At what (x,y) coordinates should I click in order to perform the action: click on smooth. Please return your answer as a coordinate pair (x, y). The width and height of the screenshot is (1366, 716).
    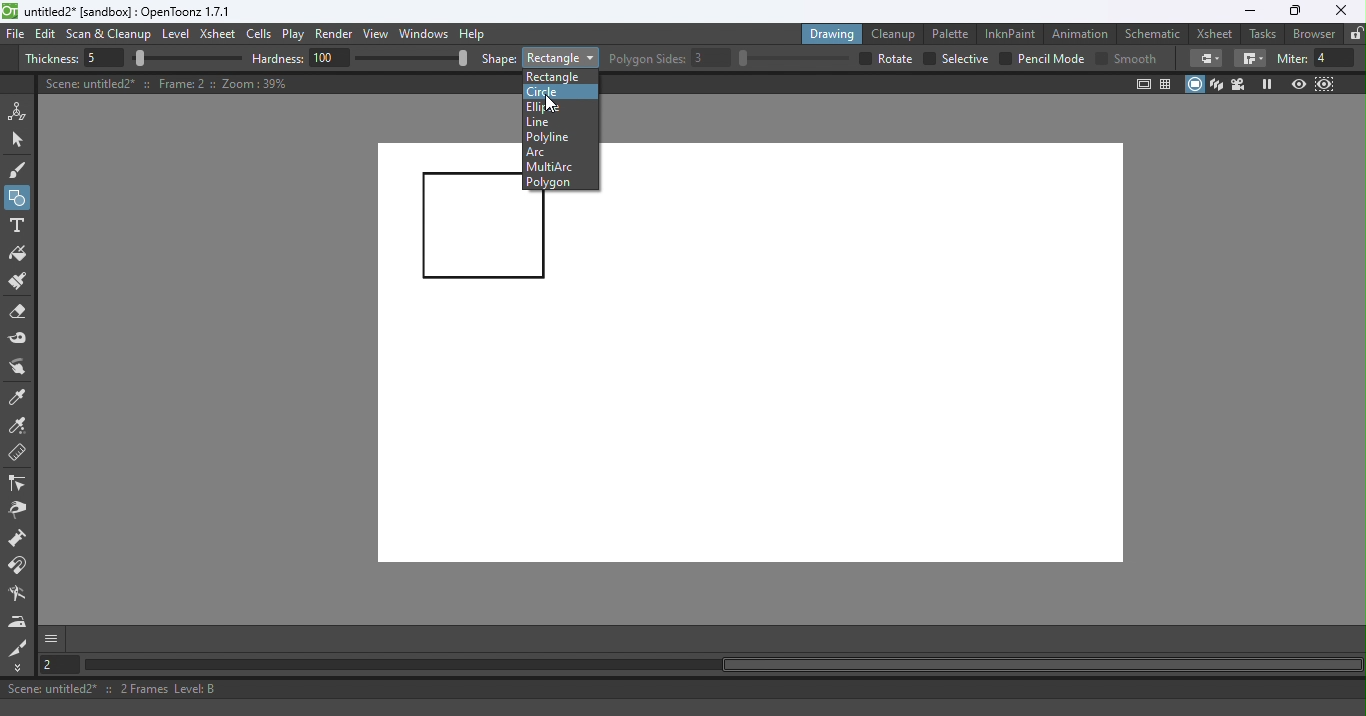
    Looking at the image, I should click on (1138, 58).